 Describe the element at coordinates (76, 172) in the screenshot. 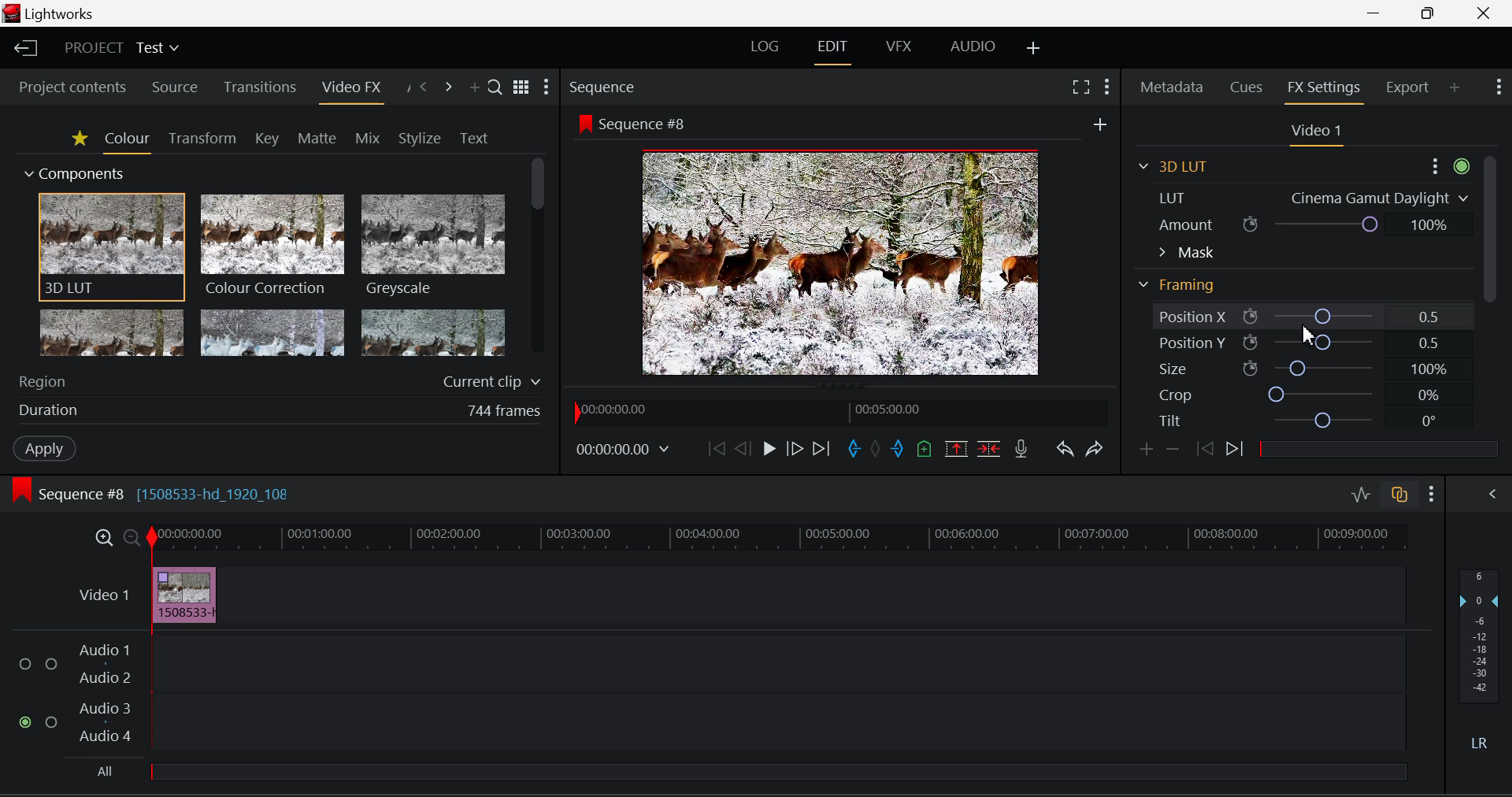

I see `Components Section` at that location.